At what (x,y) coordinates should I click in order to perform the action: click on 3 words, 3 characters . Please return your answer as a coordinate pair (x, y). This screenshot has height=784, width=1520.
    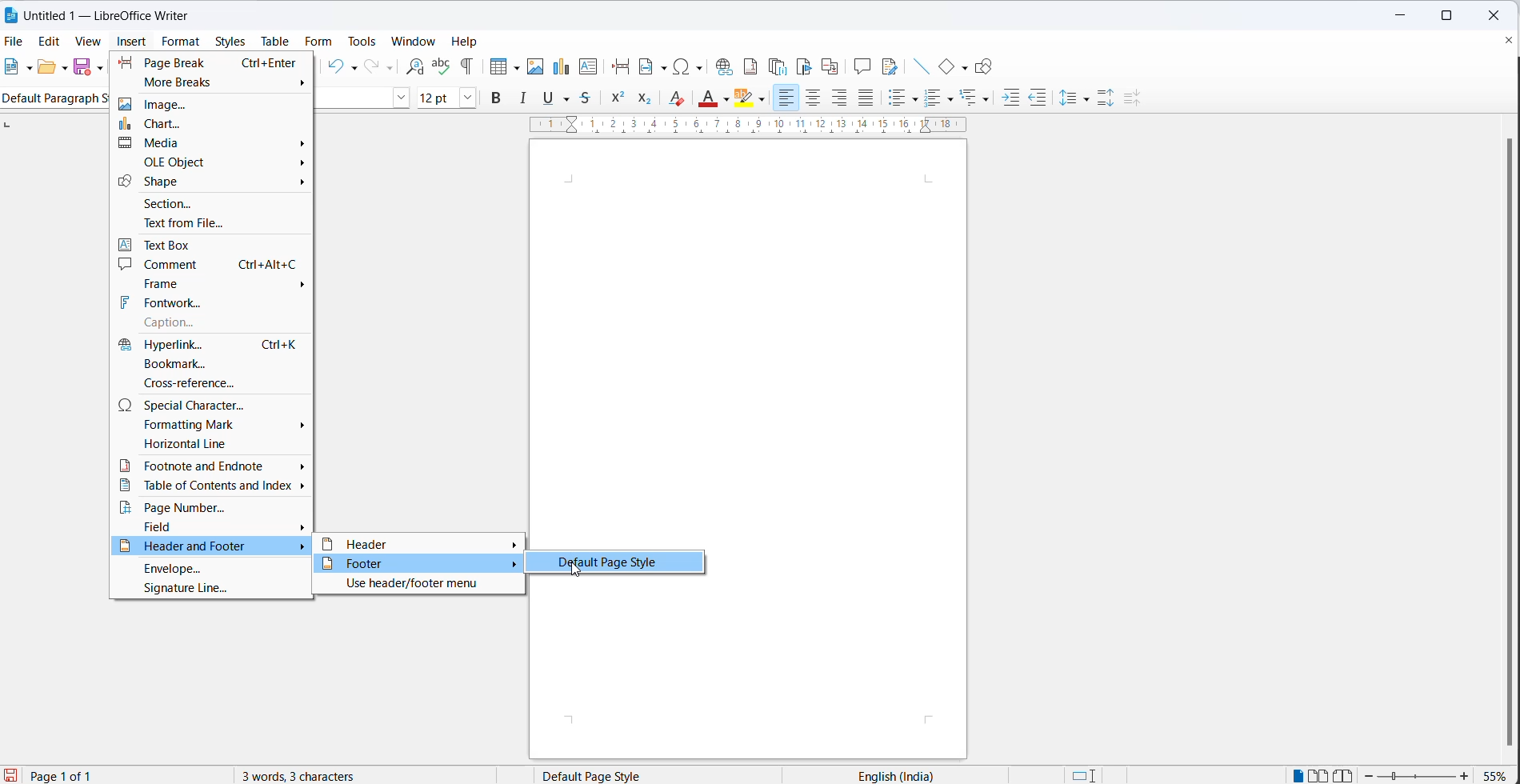
    Looking at the image, I should click on (311, 775).